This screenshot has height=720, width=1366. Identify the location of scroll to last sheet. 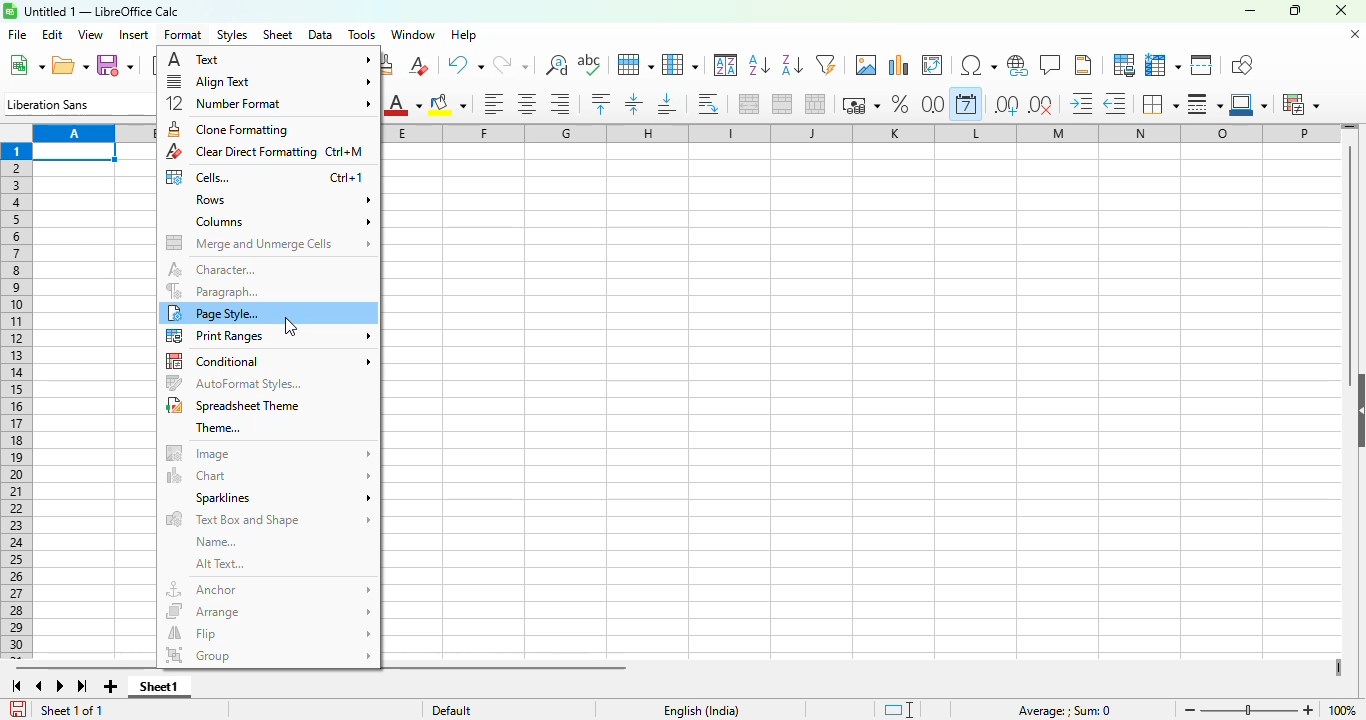
(83, 686).